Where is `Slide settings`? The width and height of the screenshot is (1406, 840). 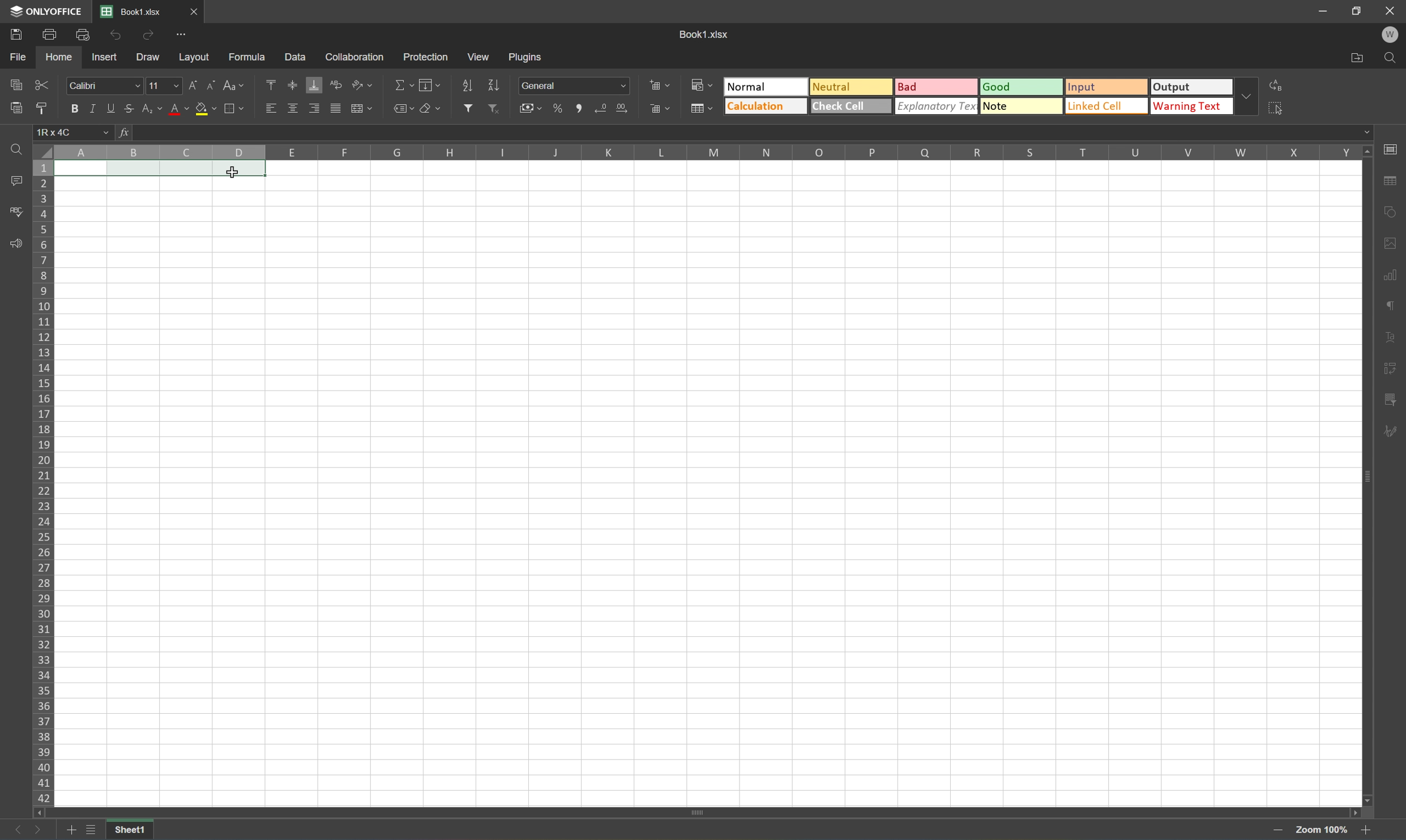 Slide settings is located at coordinates (1393, 149).